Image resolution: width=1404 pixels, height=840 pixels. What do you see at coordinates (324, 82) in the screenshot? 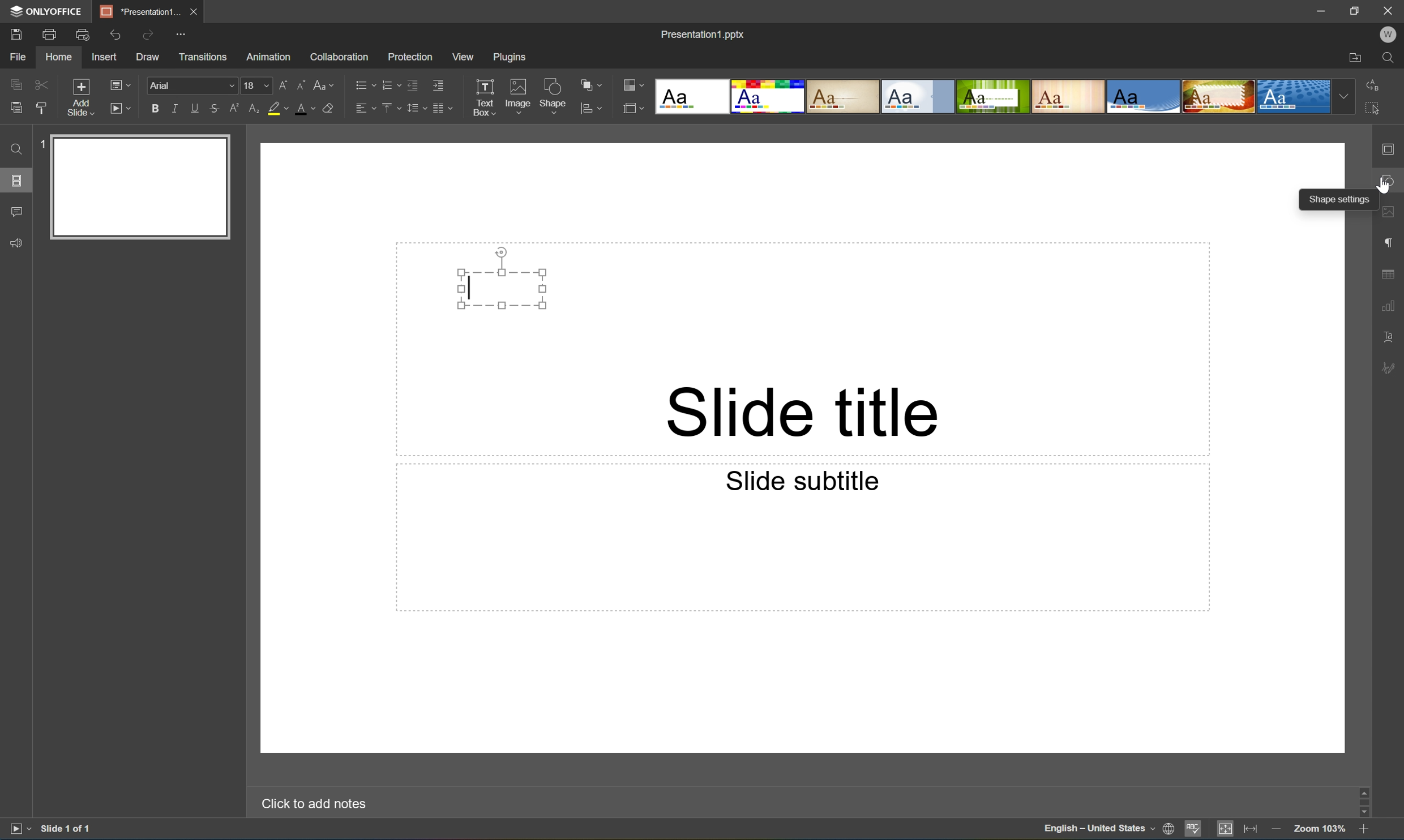
I see `Change case` at bounding box center [324, 82].